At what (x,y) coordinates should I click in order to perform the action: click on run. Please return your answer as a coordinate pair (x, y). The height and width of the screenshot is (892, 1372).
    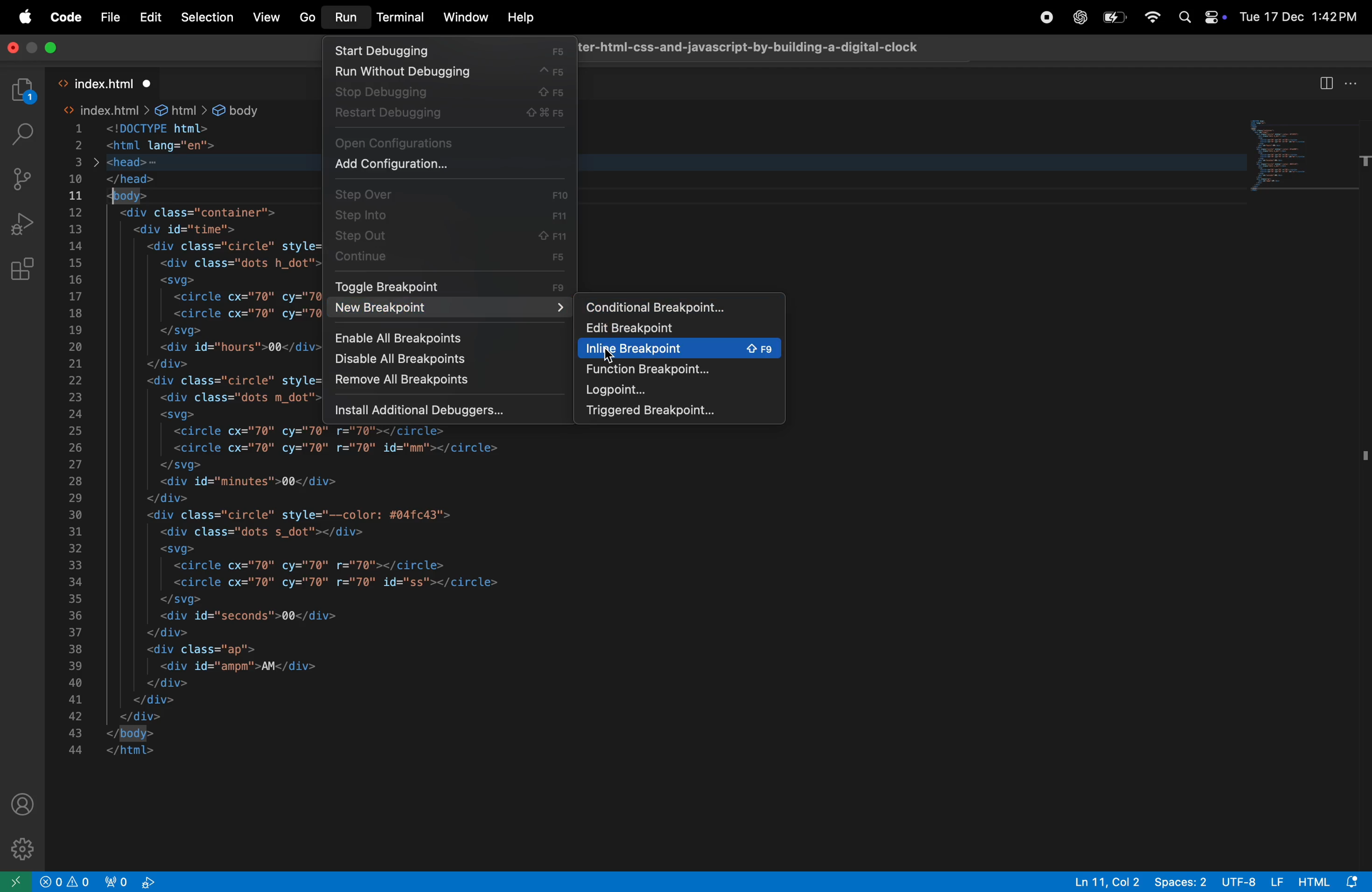
    Looking at the image, I should click on (344, 19).